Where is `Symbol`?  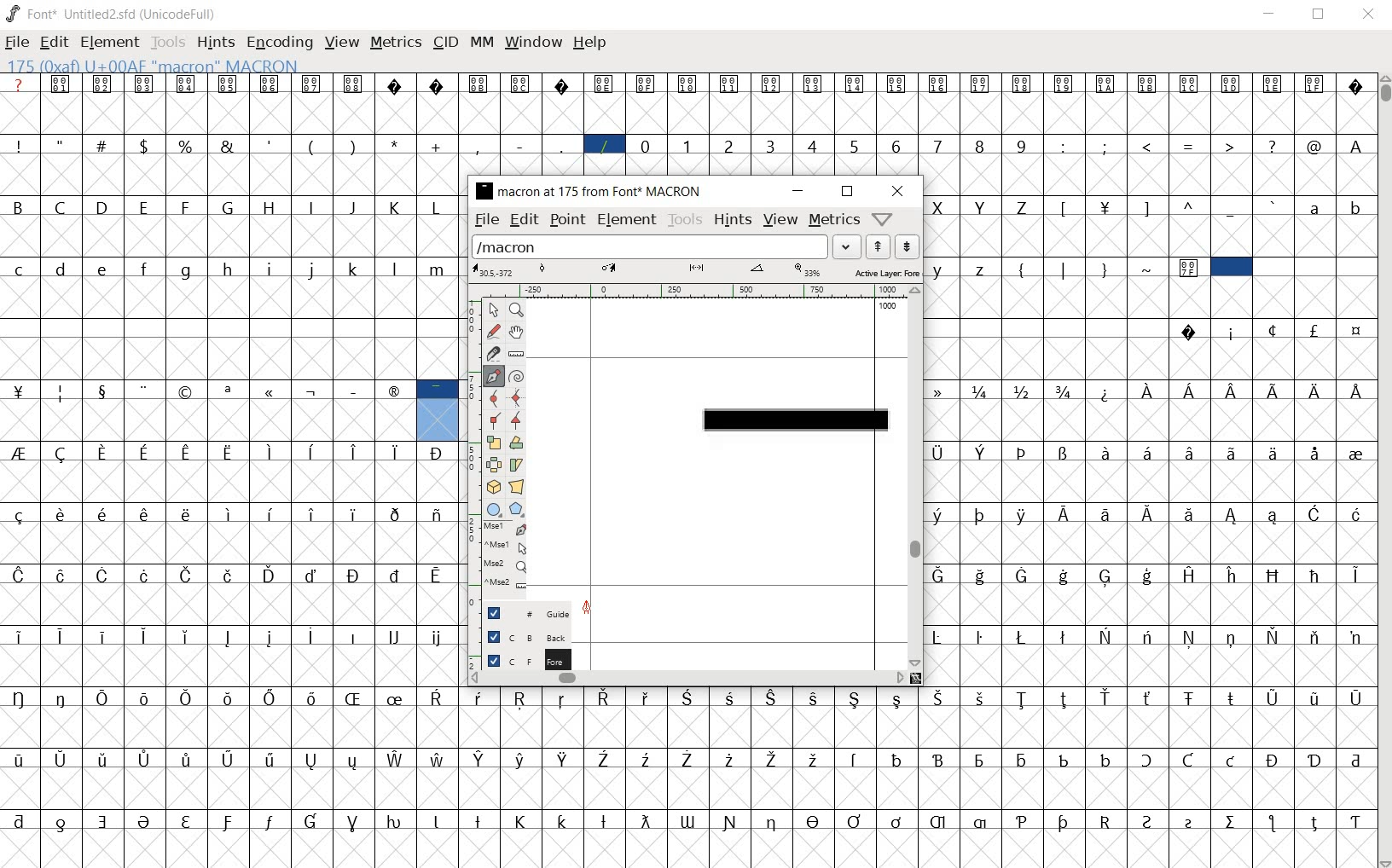 Symbol is located at coordinates (1188, 513).